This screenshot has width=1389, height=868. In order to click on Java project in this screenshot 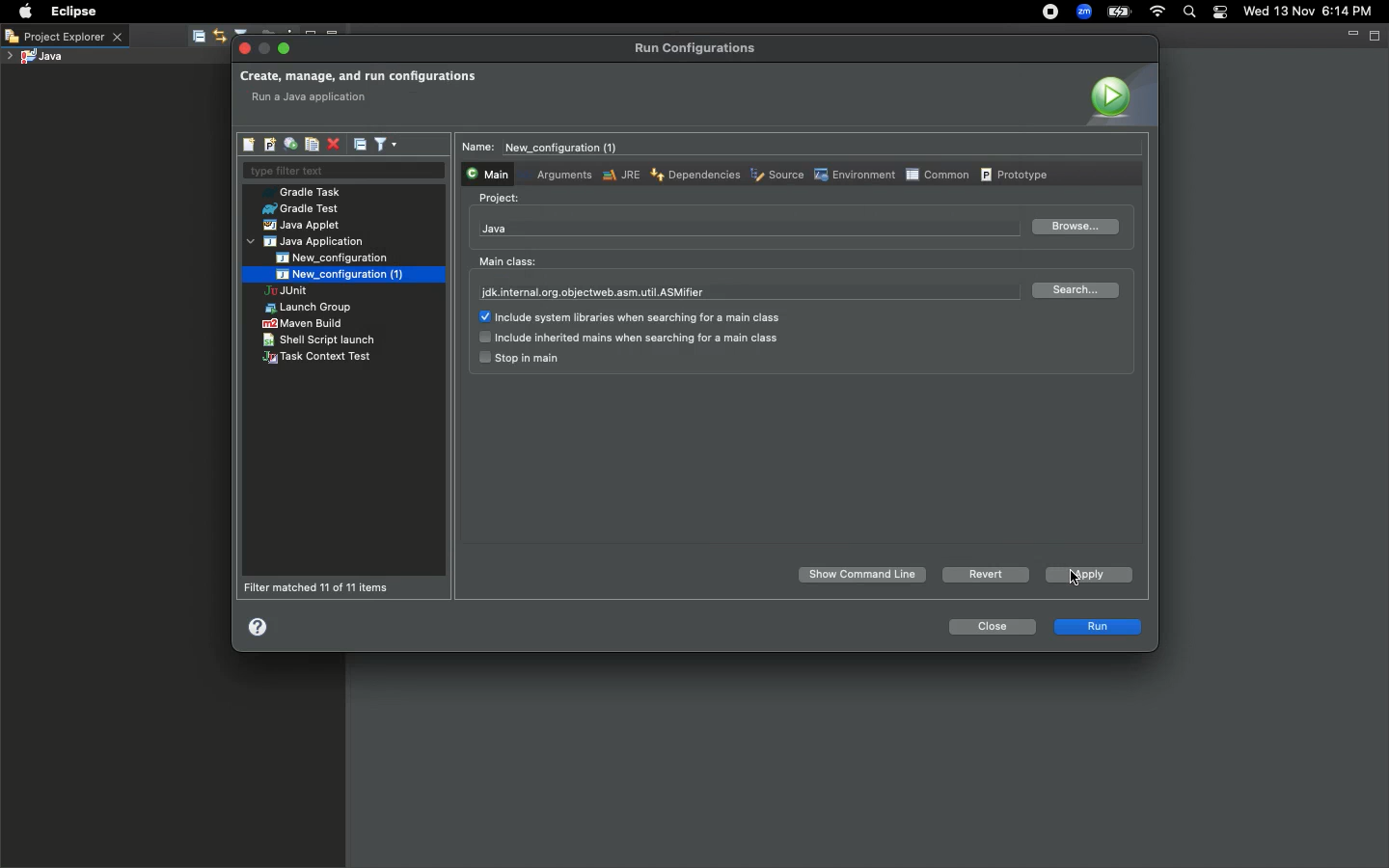, I will do `click(34, 58)`.